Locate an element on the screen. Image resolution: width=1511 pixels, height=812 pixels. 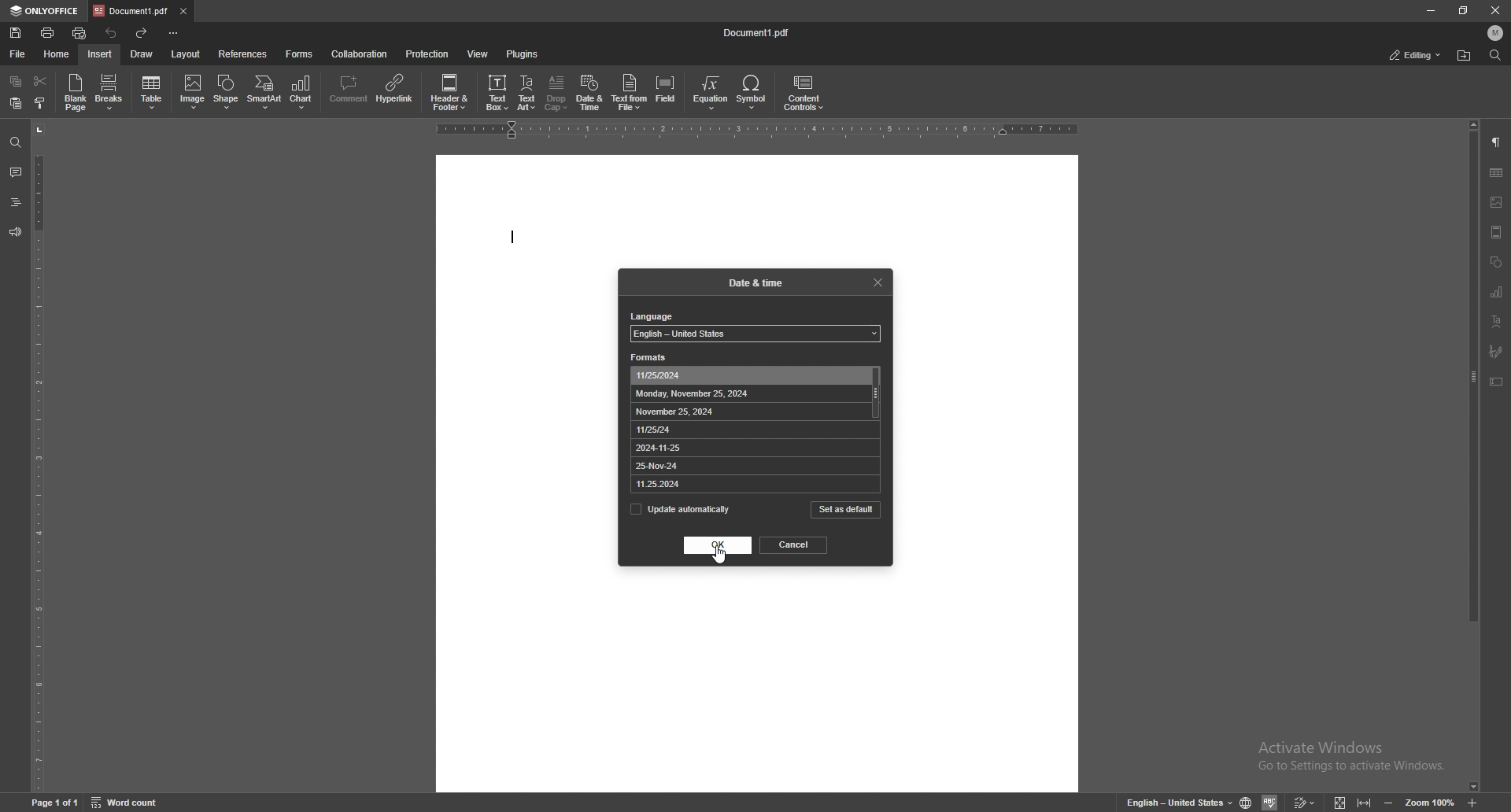
comment is located at coordinates (348, 90).